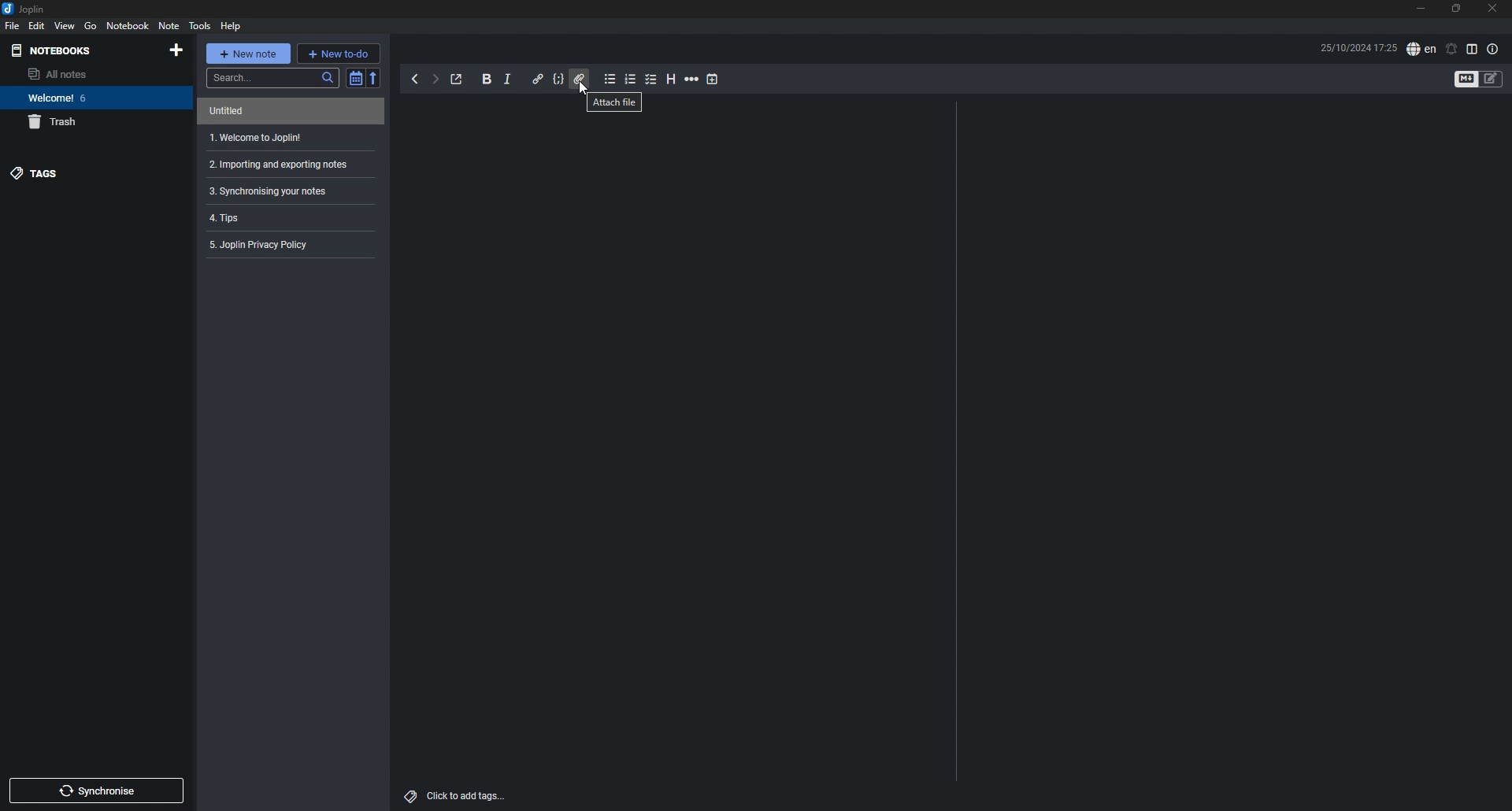 The height and width of the screenshot is (811, 1512). I want to click on all notes, so click(81, 73).